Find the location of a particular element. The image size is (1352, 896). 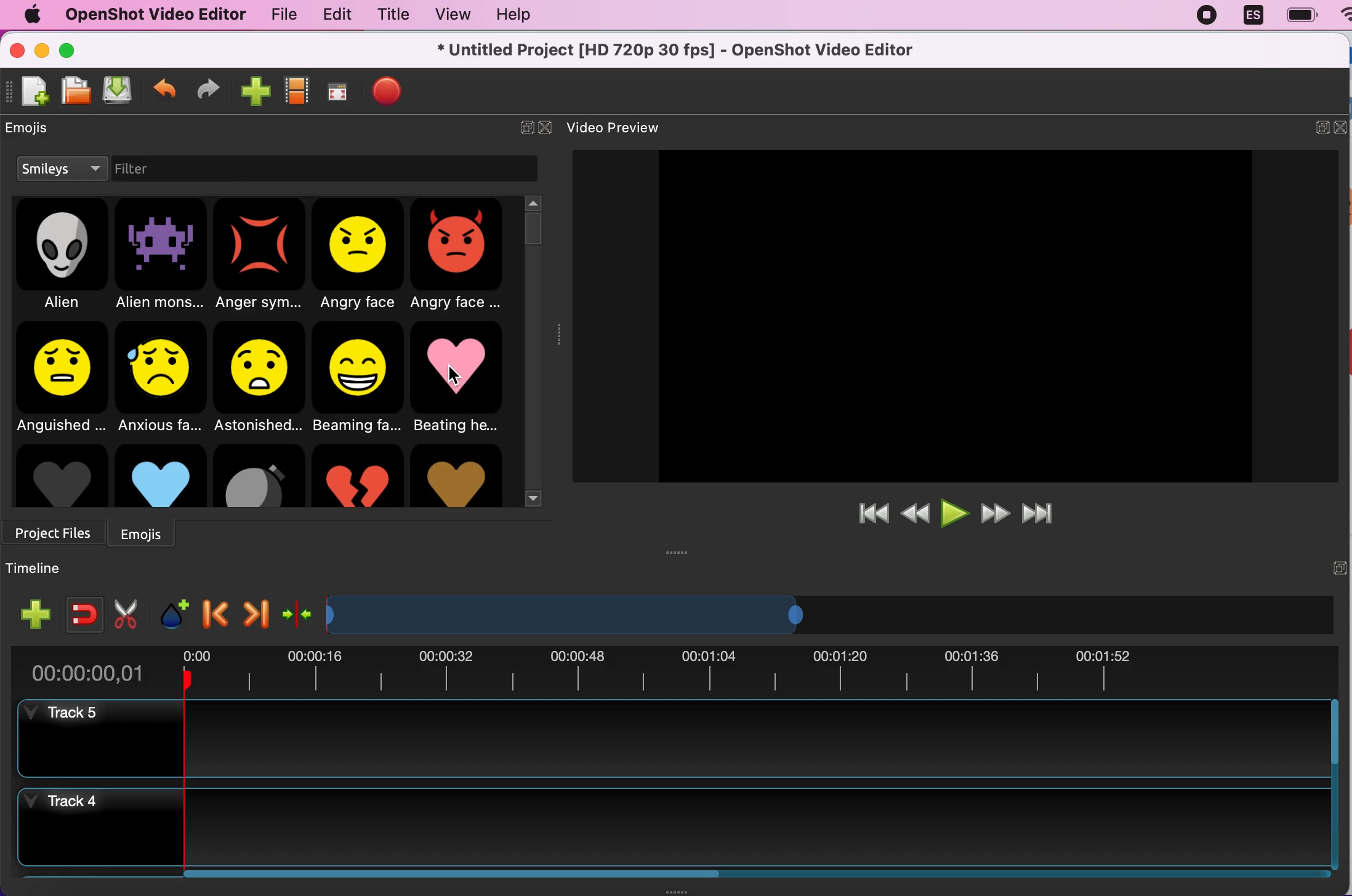

add marker is located at coordinates (172, 610).